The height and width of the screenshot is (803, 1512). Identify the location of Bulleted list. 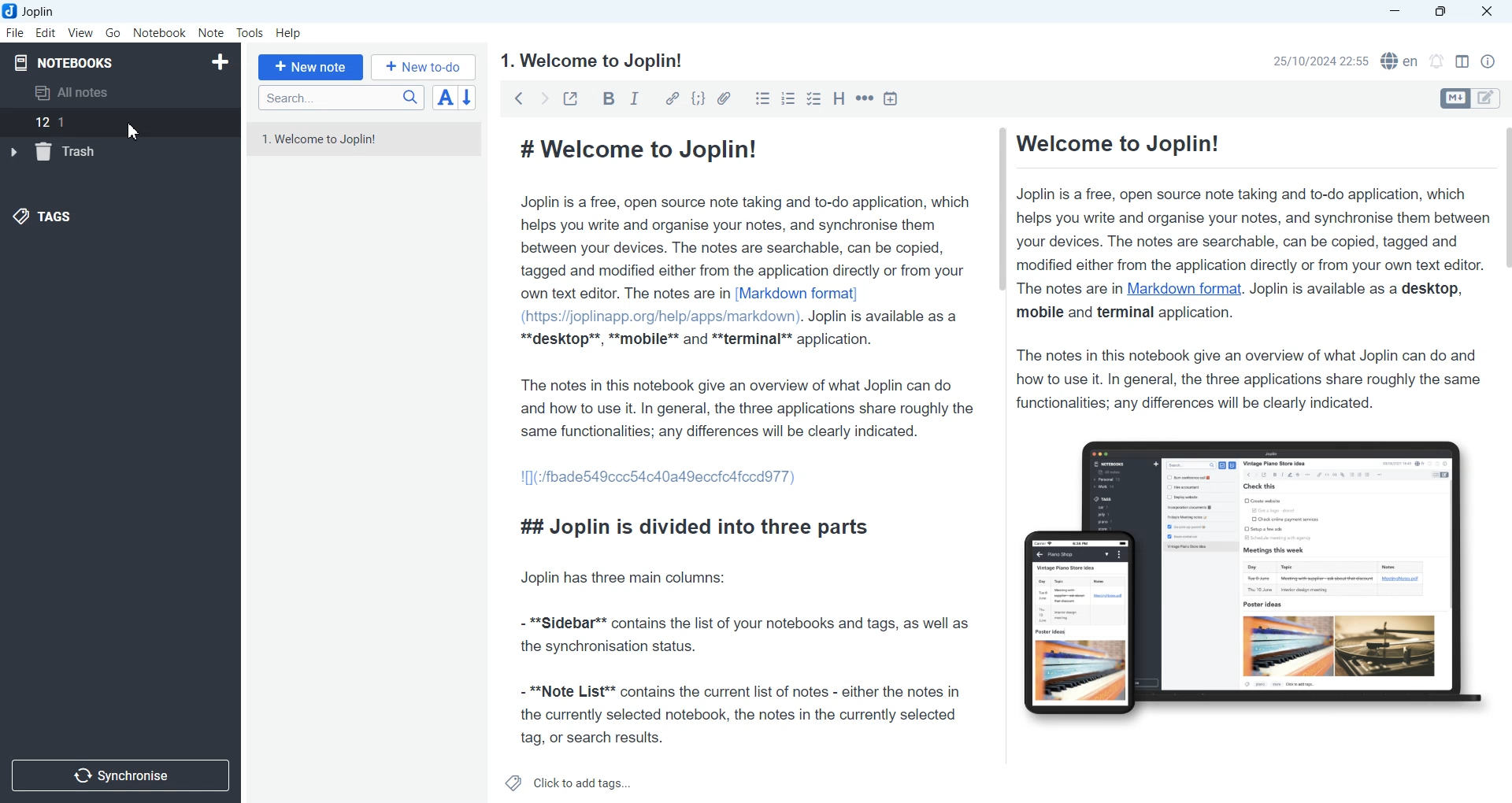
(759, 98).